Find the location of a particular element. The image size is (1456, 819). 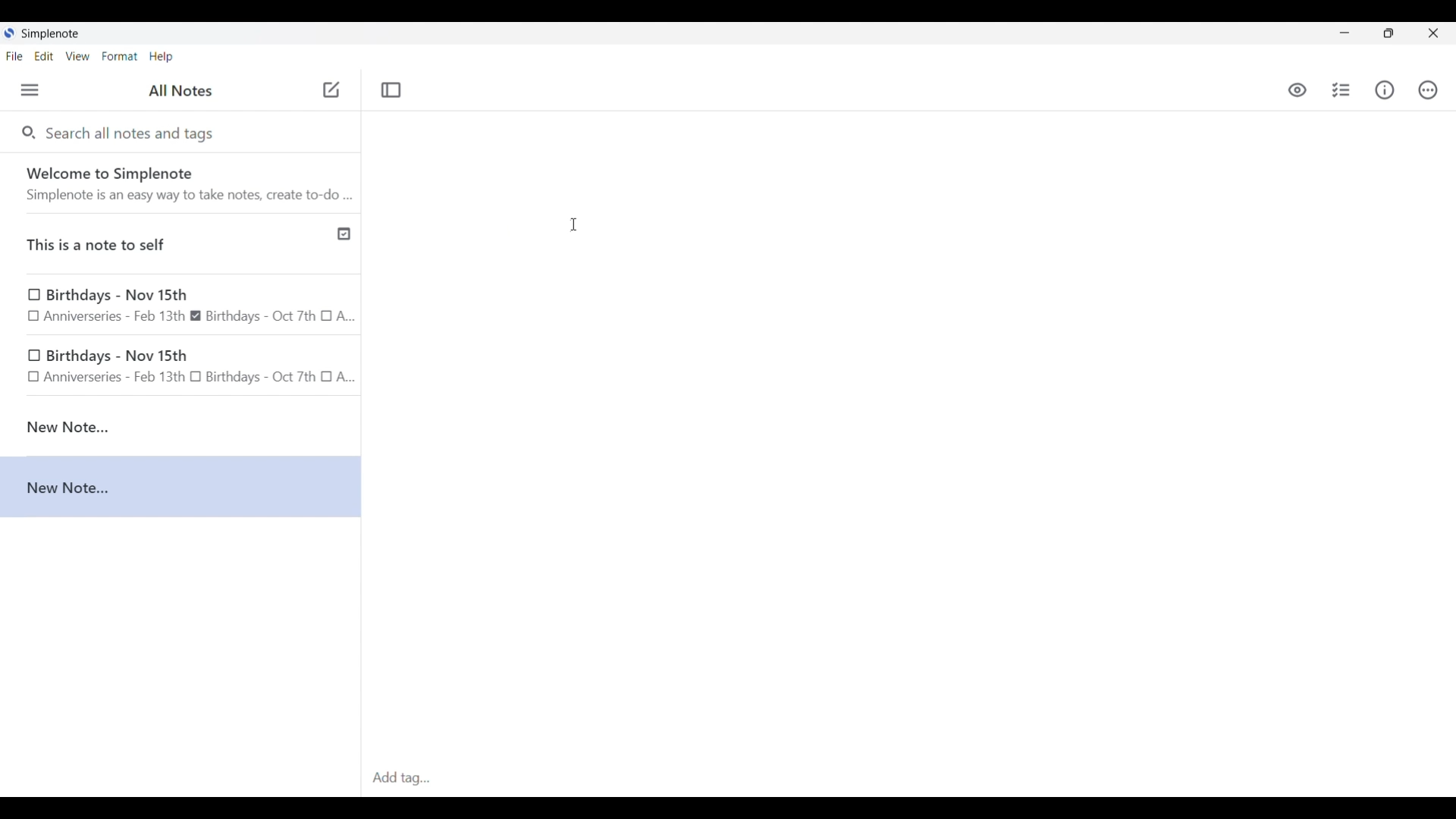

Help menu is located at coordinates (161, 56).